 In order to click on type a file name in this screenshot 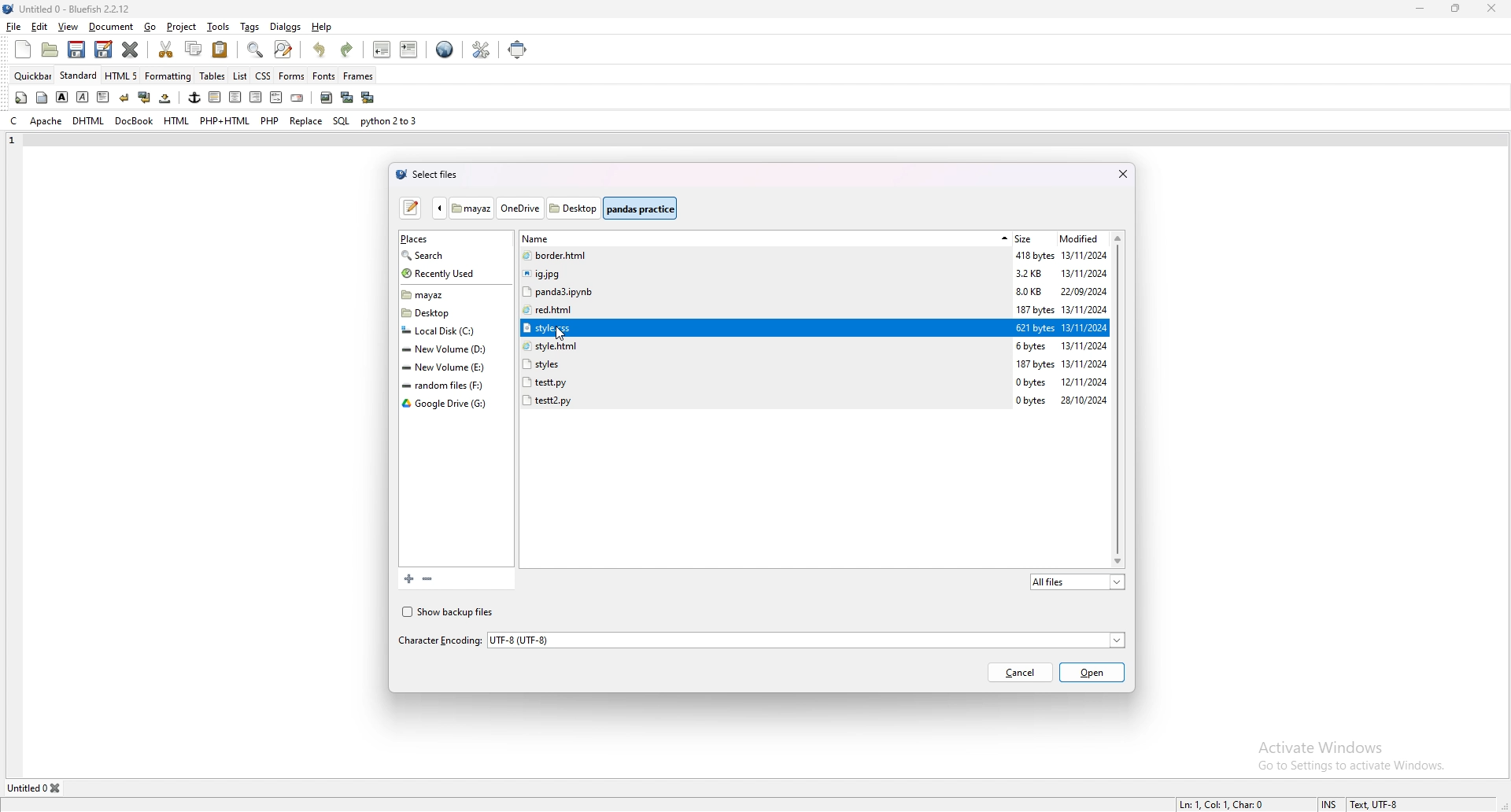, I will do `click(412, 208)`.